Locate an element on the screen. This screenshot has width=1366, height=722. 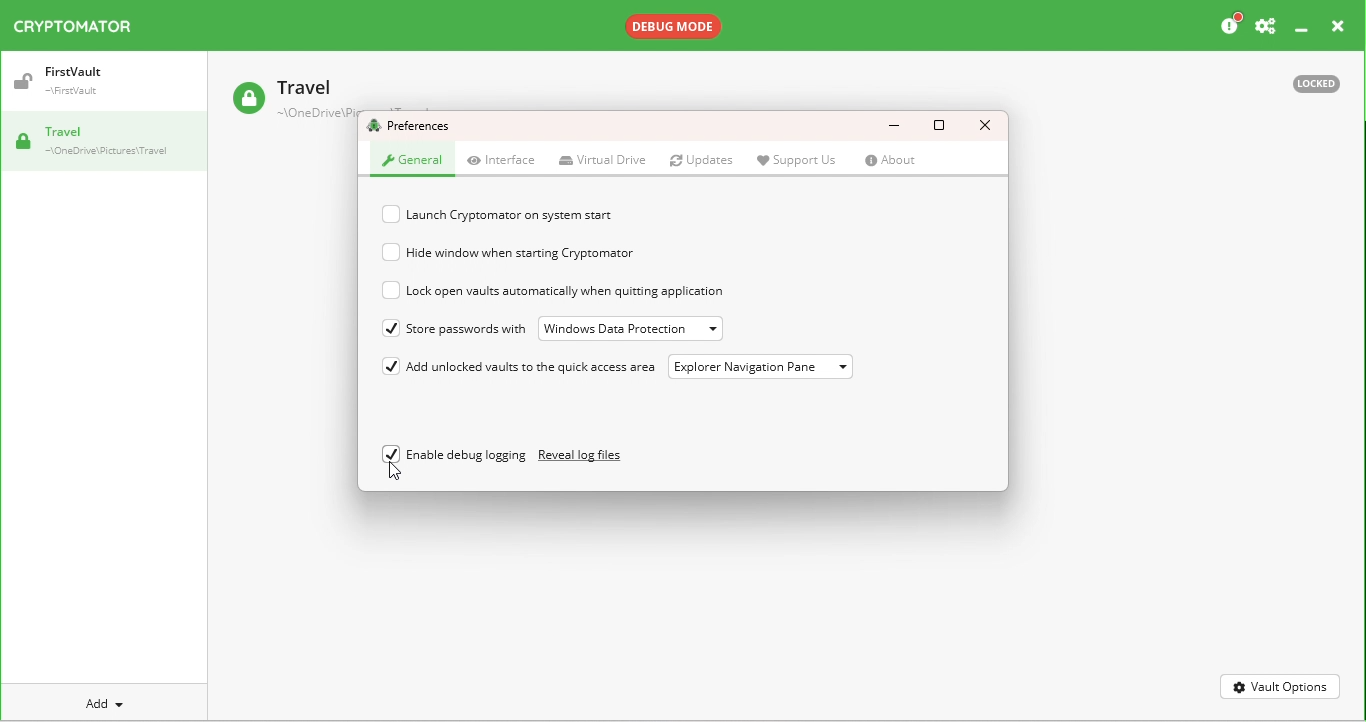
Preferences is located at coordinates (1266, 24).